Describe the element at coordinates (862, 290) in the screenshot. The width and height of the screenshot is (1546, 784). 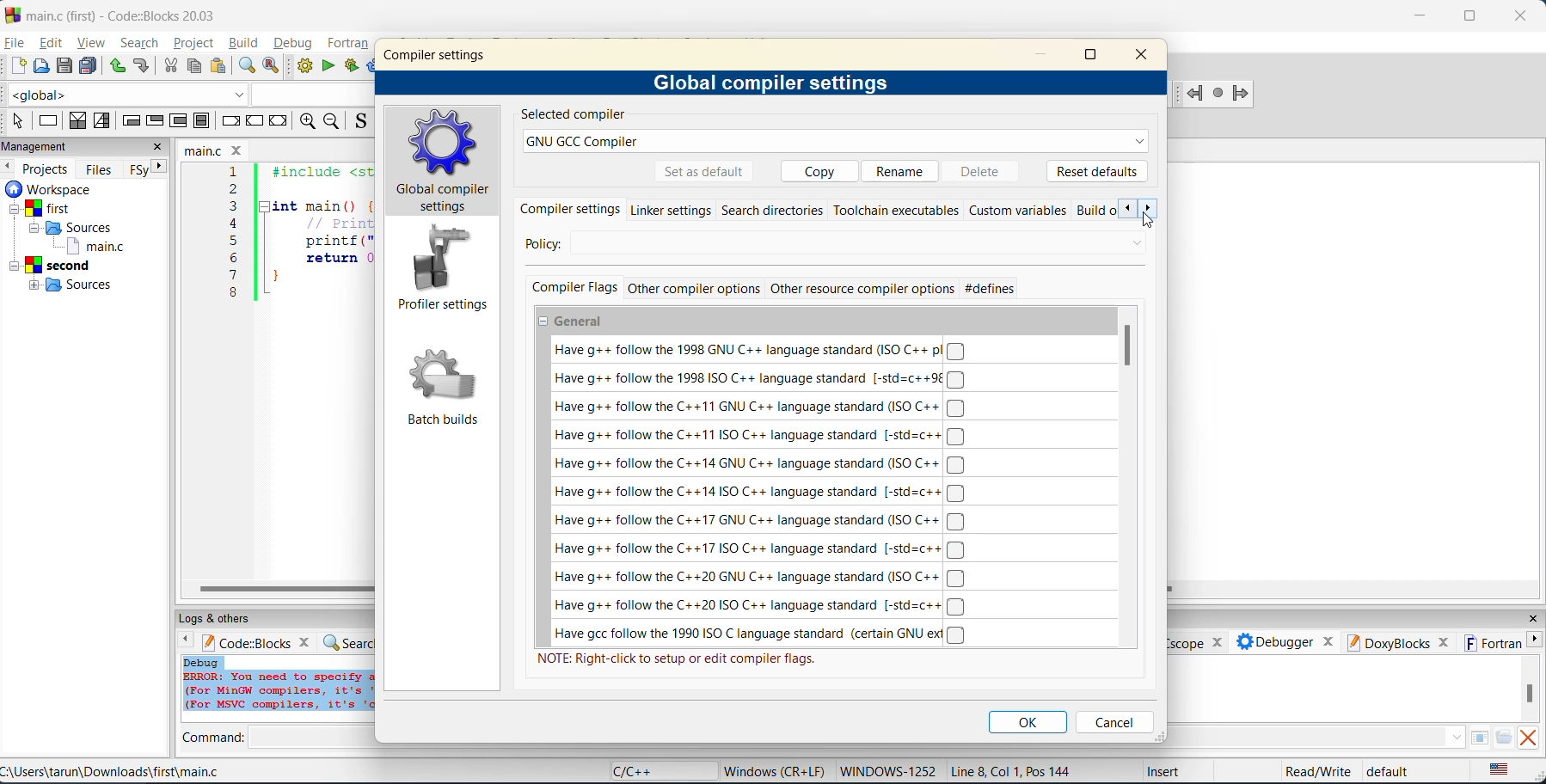
I see `other resource compiler options` at that location.